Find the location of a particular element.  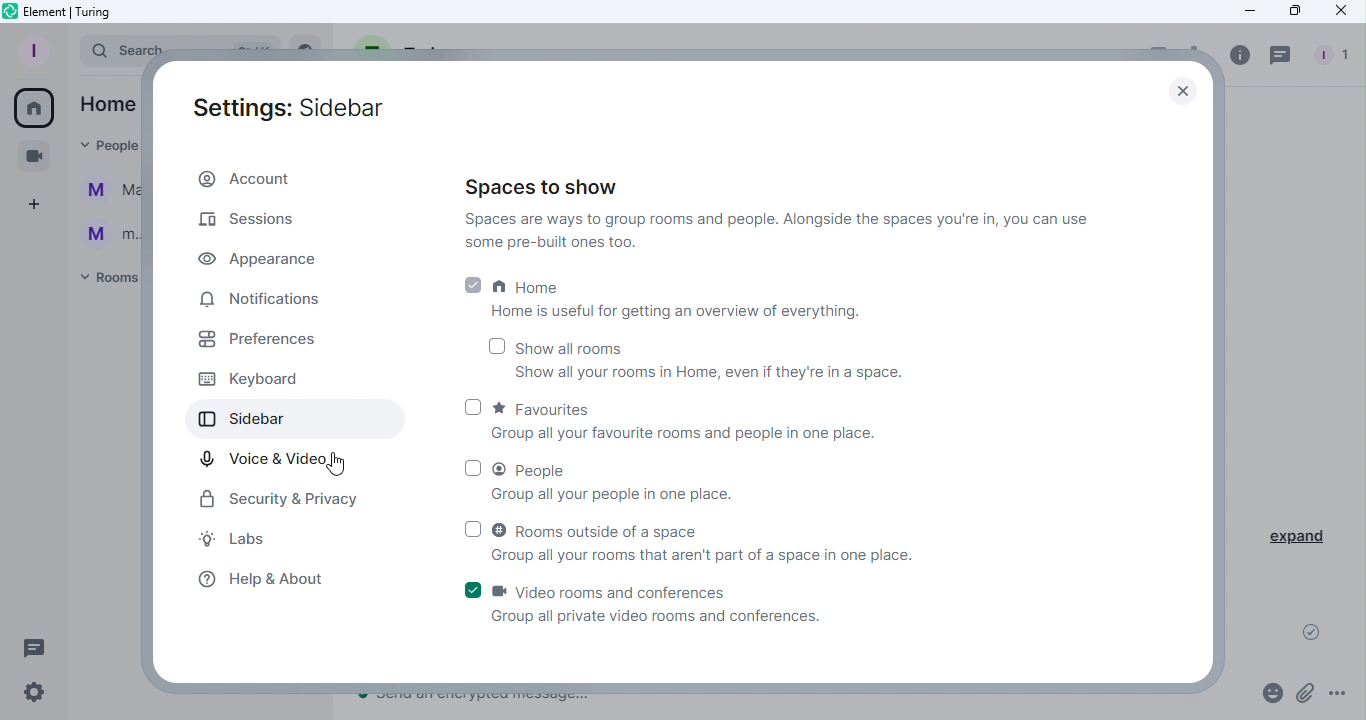

Notifications is located at coordinates (263, 301).